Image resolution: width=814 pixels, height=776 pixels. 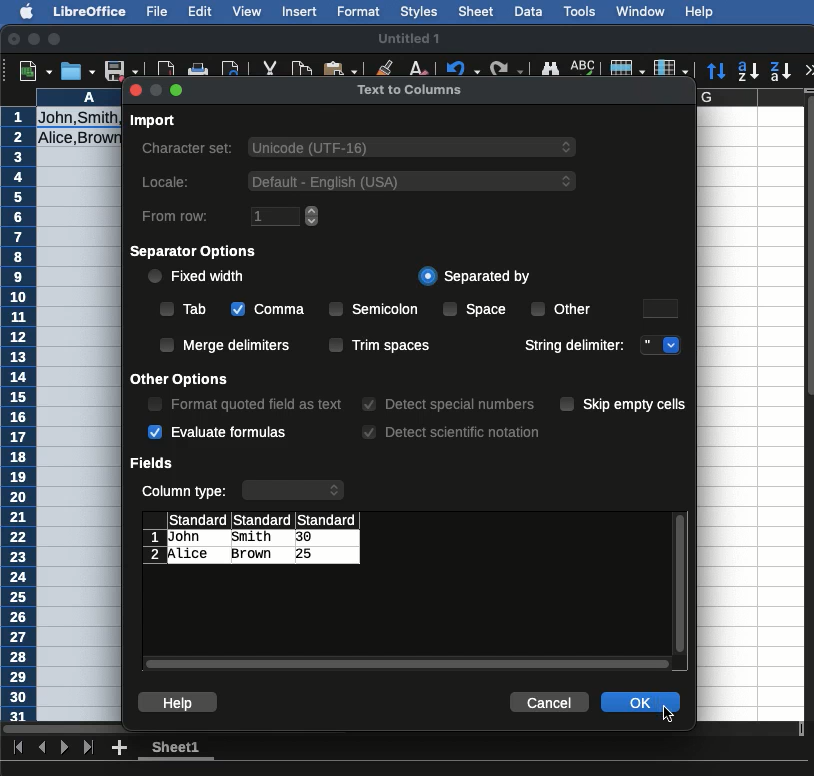 What do you see at coordinates (671, 69) in the screenshot?
I see `Columns` at bounding box center [671, 69].